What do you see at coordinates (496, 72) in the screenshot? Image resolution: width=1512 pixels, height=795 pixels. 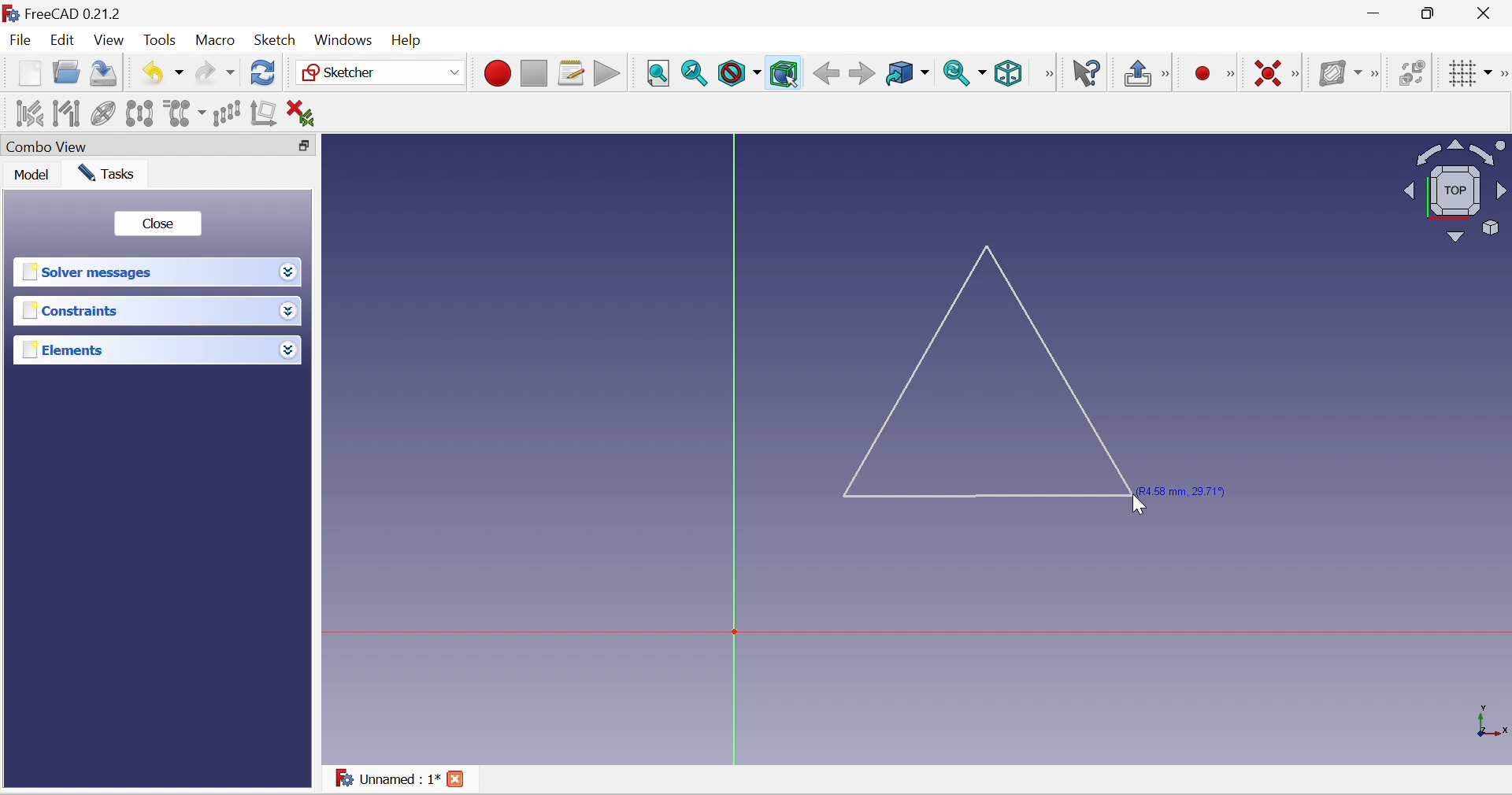 I see `Macro recording` at bounding box center [496, 72].